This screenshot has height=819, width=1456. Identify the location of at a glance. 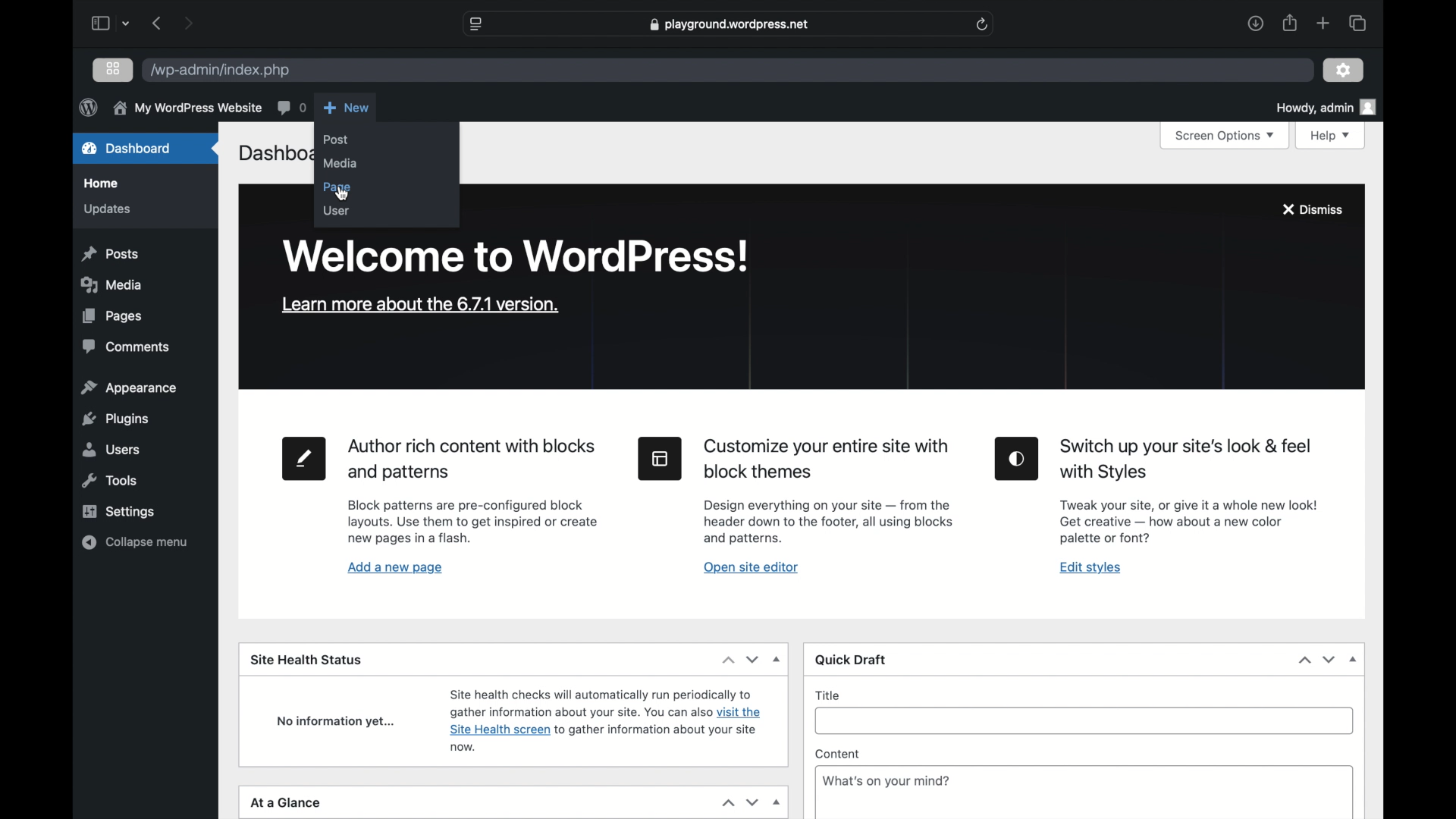
(286, 803).